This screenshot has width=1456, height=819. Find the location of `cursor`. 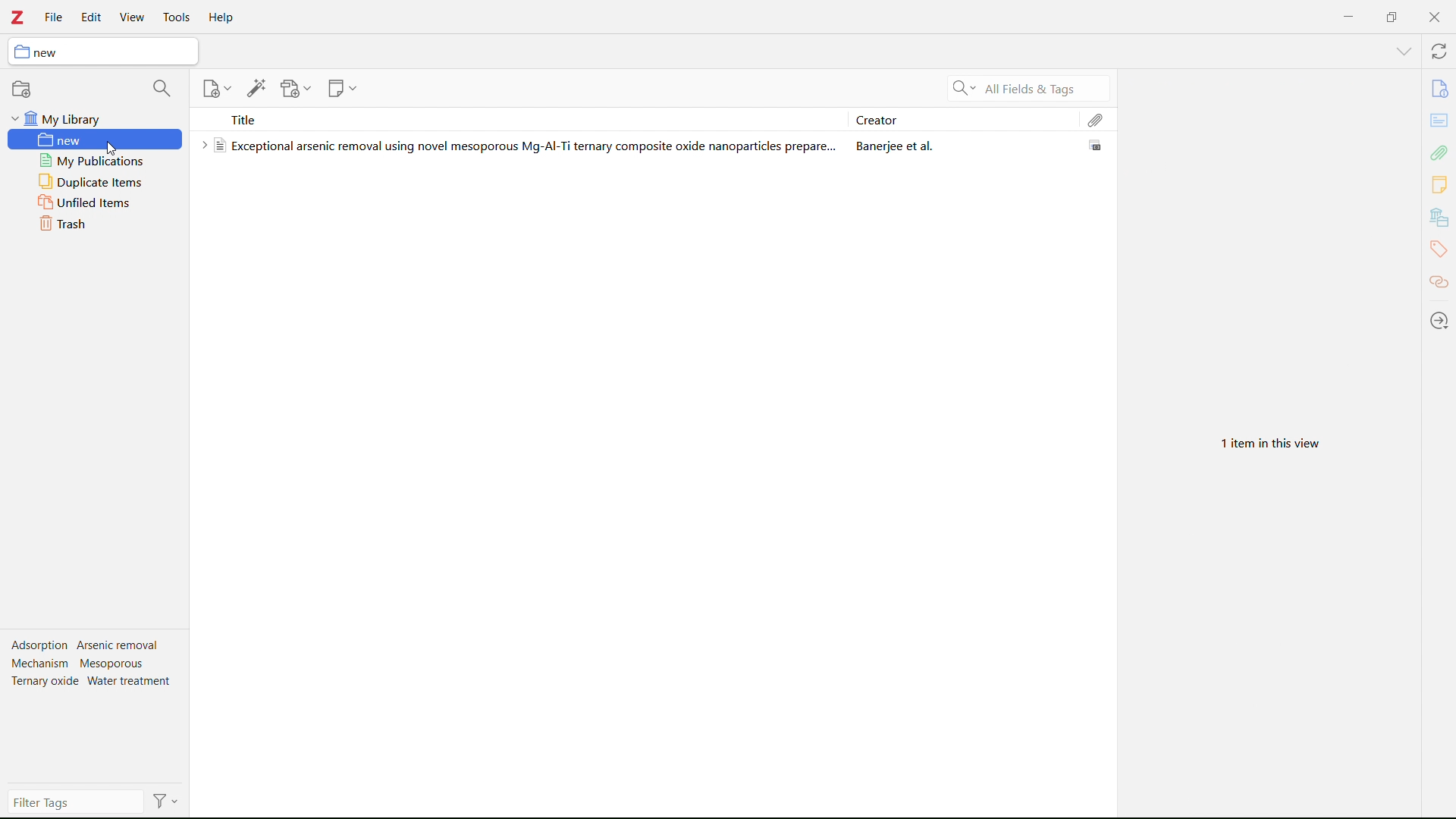

cursor is located at coordinates (96, 148).